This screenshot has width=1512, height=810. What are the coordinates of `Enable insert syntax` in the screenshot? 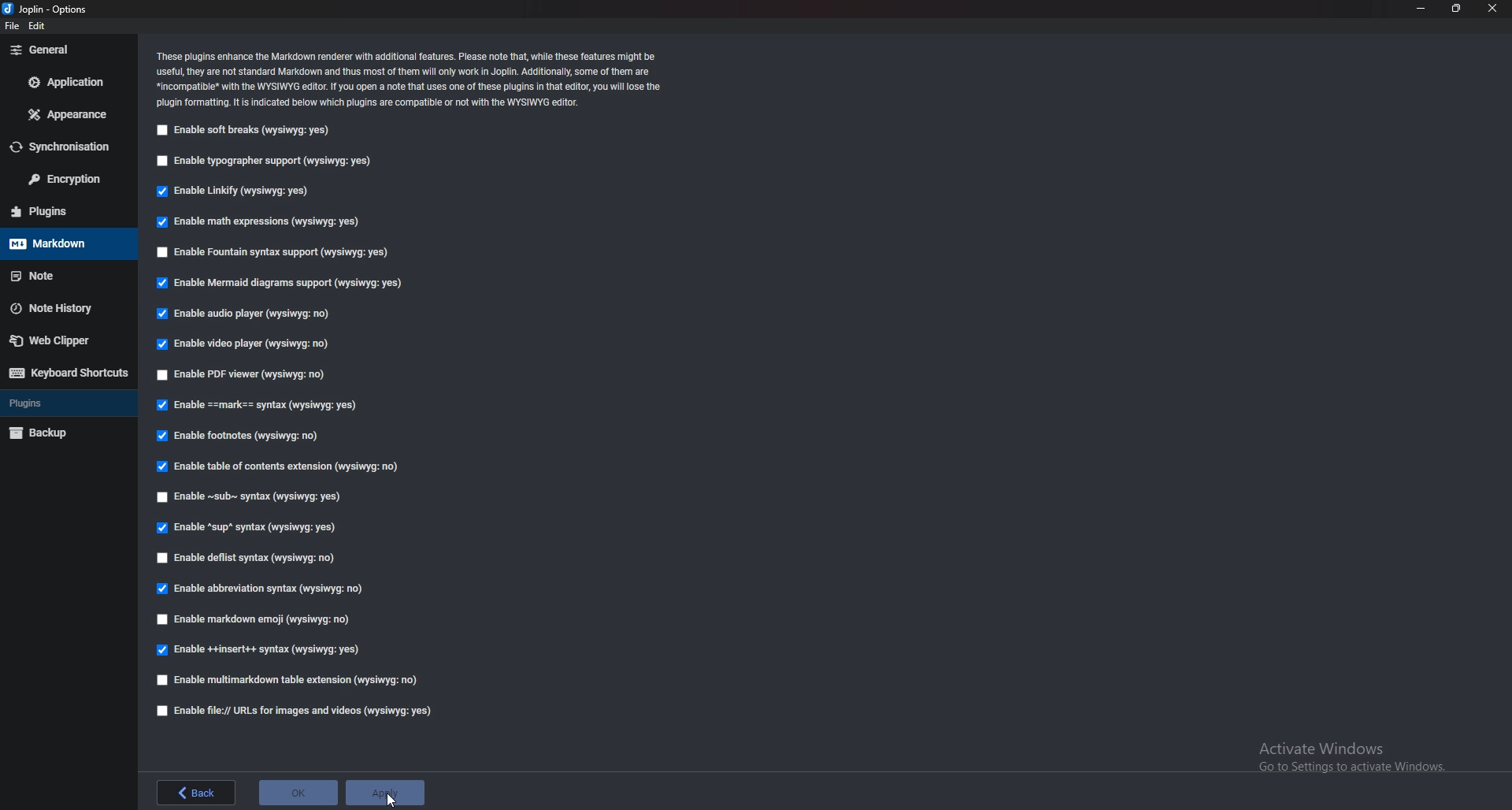 It's located at (261, 652).